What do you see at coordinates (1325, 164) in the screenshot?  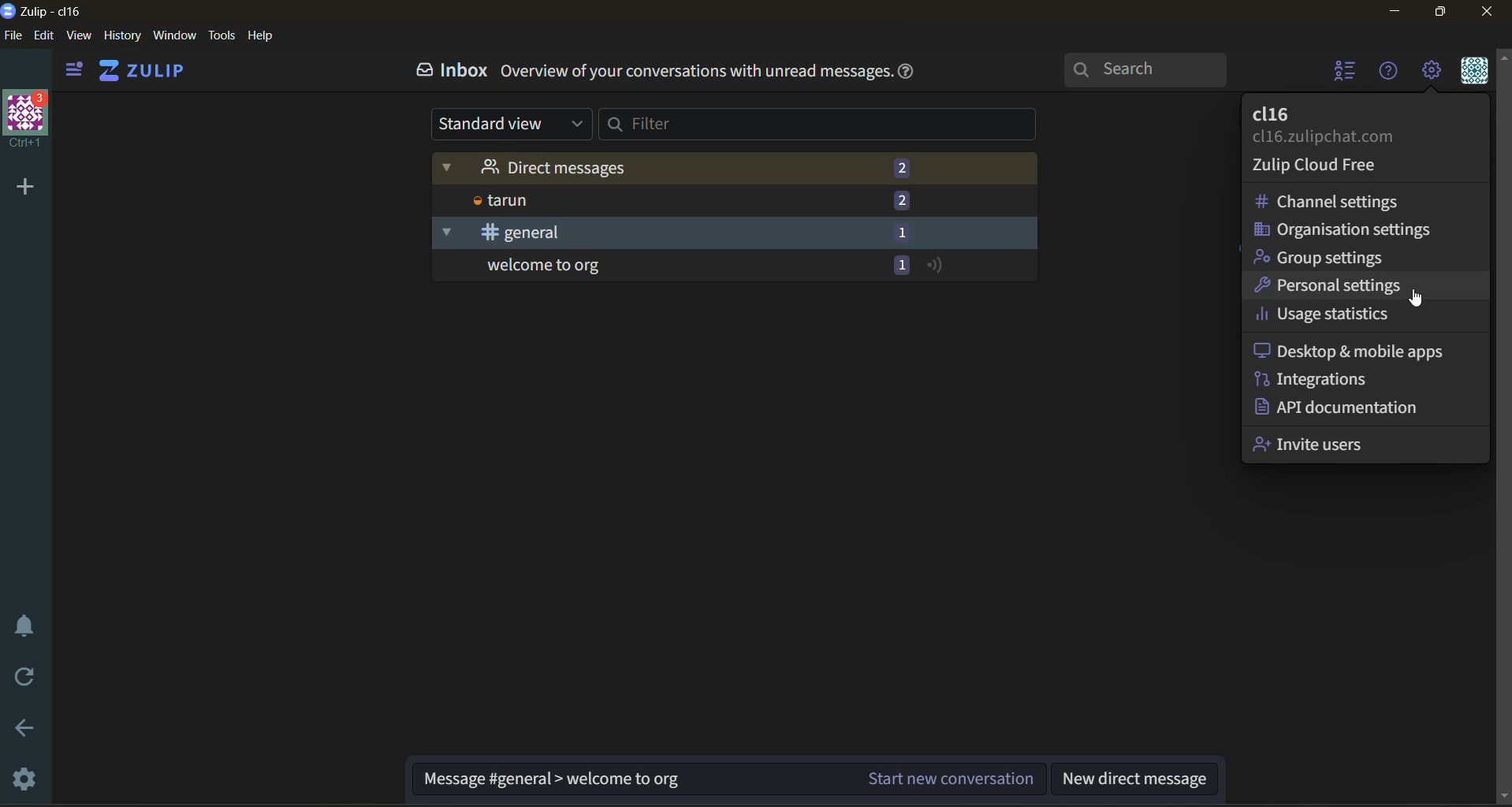 I see `cloud` at bounding box center [1325, 164].